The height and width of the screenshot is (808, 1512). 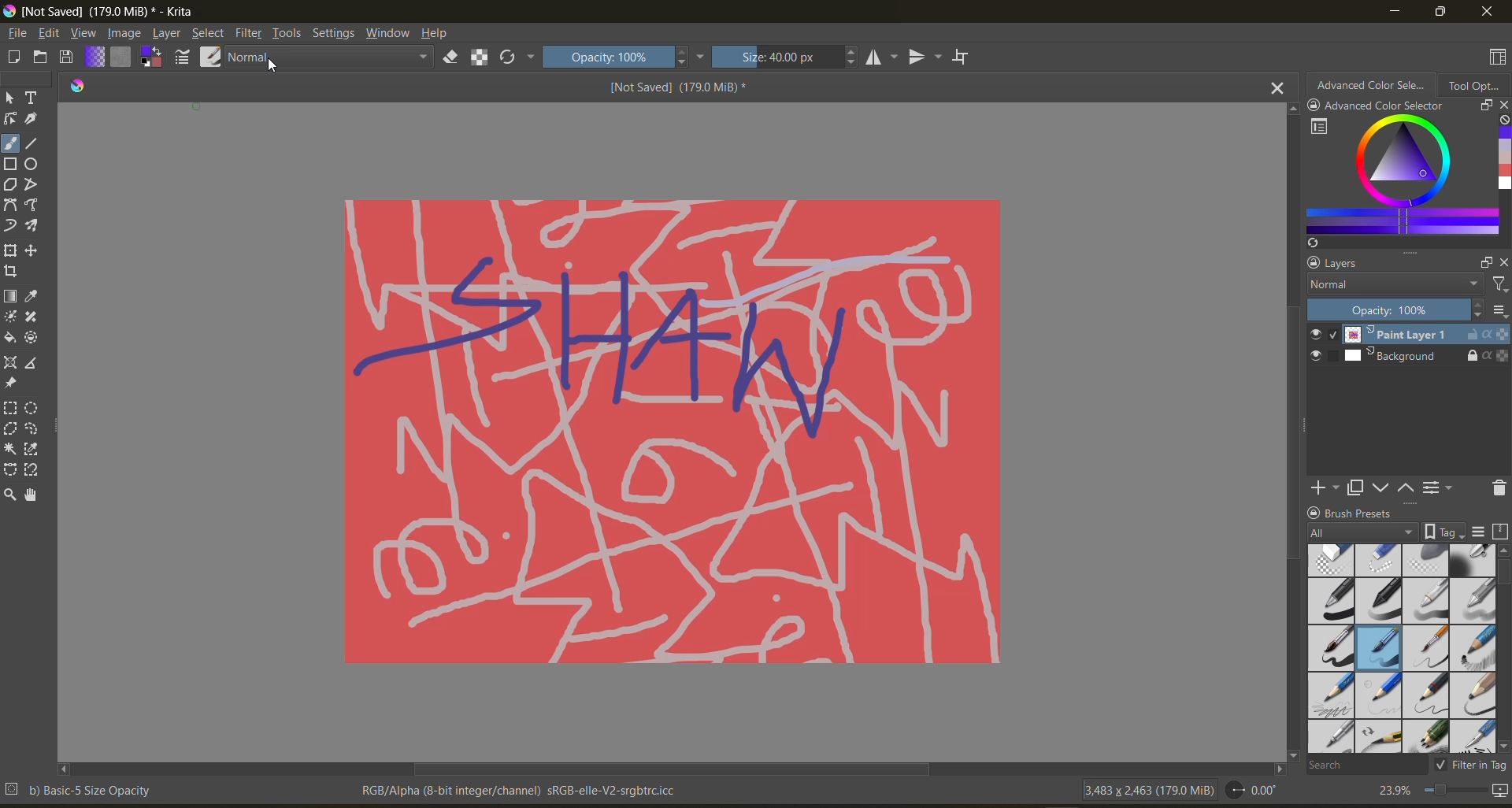 I want to click on cursor, so click(x=270, y=69).